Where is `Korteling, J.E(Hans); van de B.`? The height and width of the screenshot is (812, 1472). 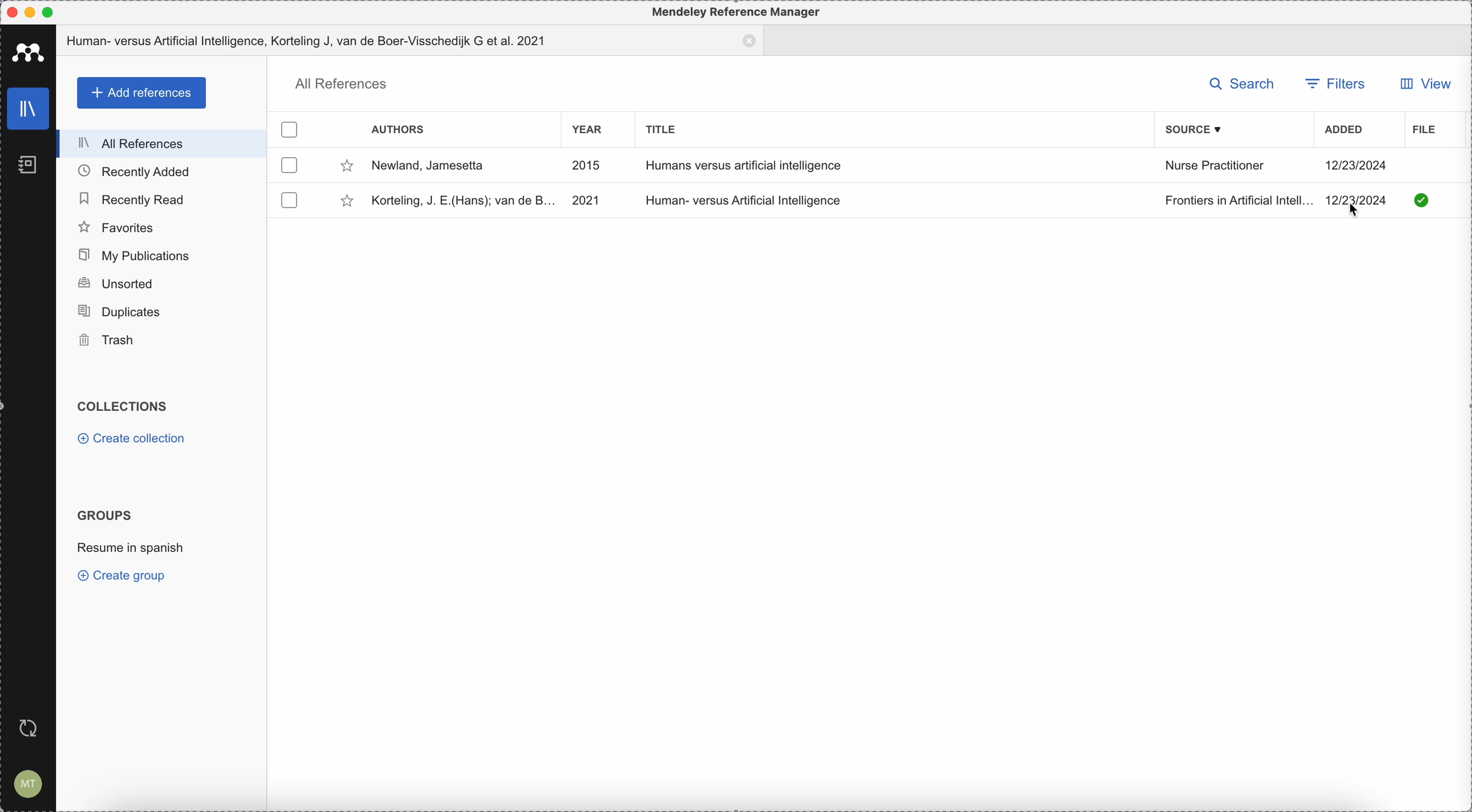
Korteling, J.E(Hans); van de B. is located at coordinates (461, 199).